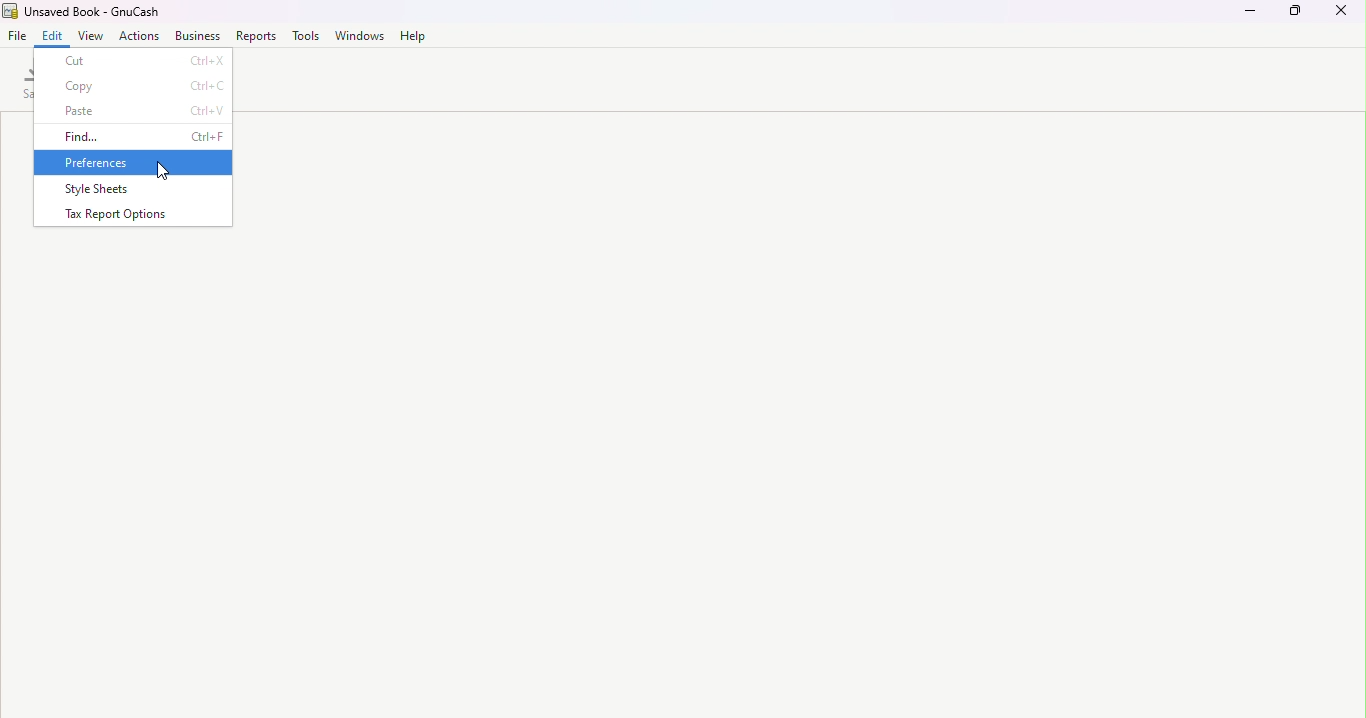 The image size is (1366, 718). I want to click on Find, so click(134, 137).